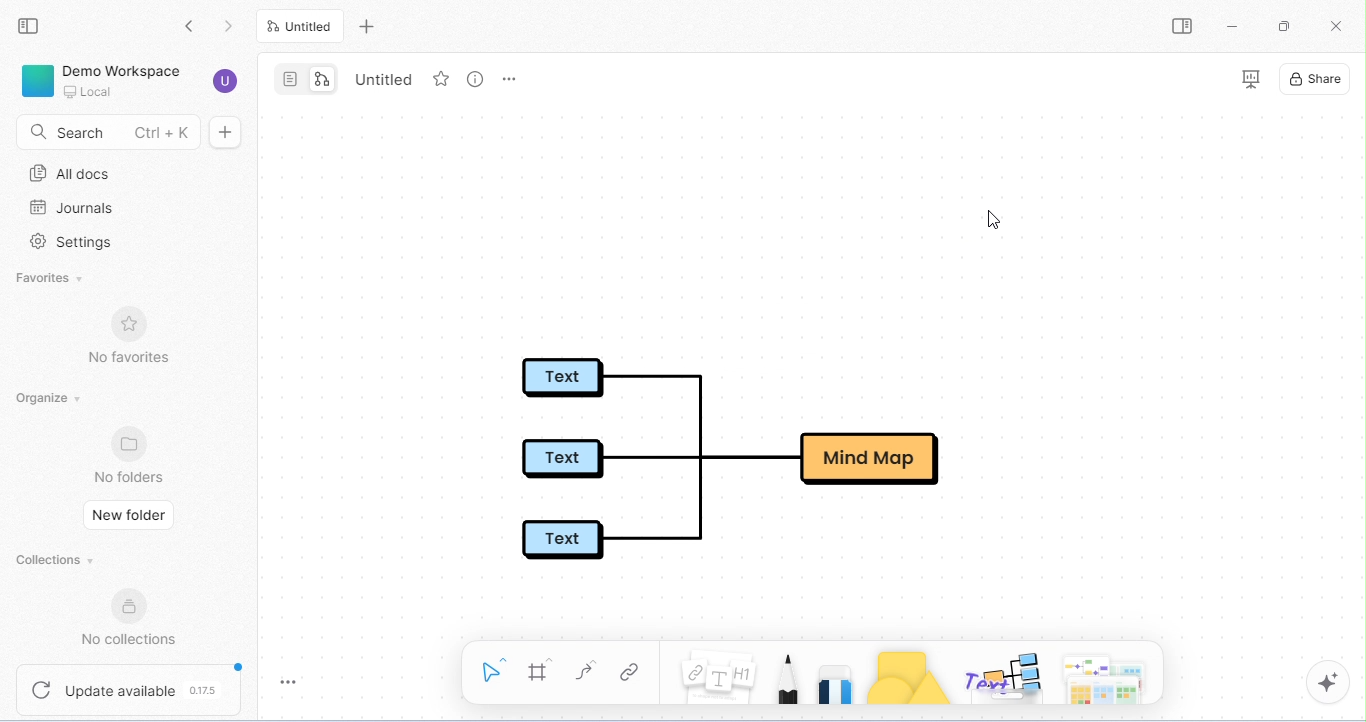 The image size is (1366, 722). I want to click on no collections, so click(130, 619).